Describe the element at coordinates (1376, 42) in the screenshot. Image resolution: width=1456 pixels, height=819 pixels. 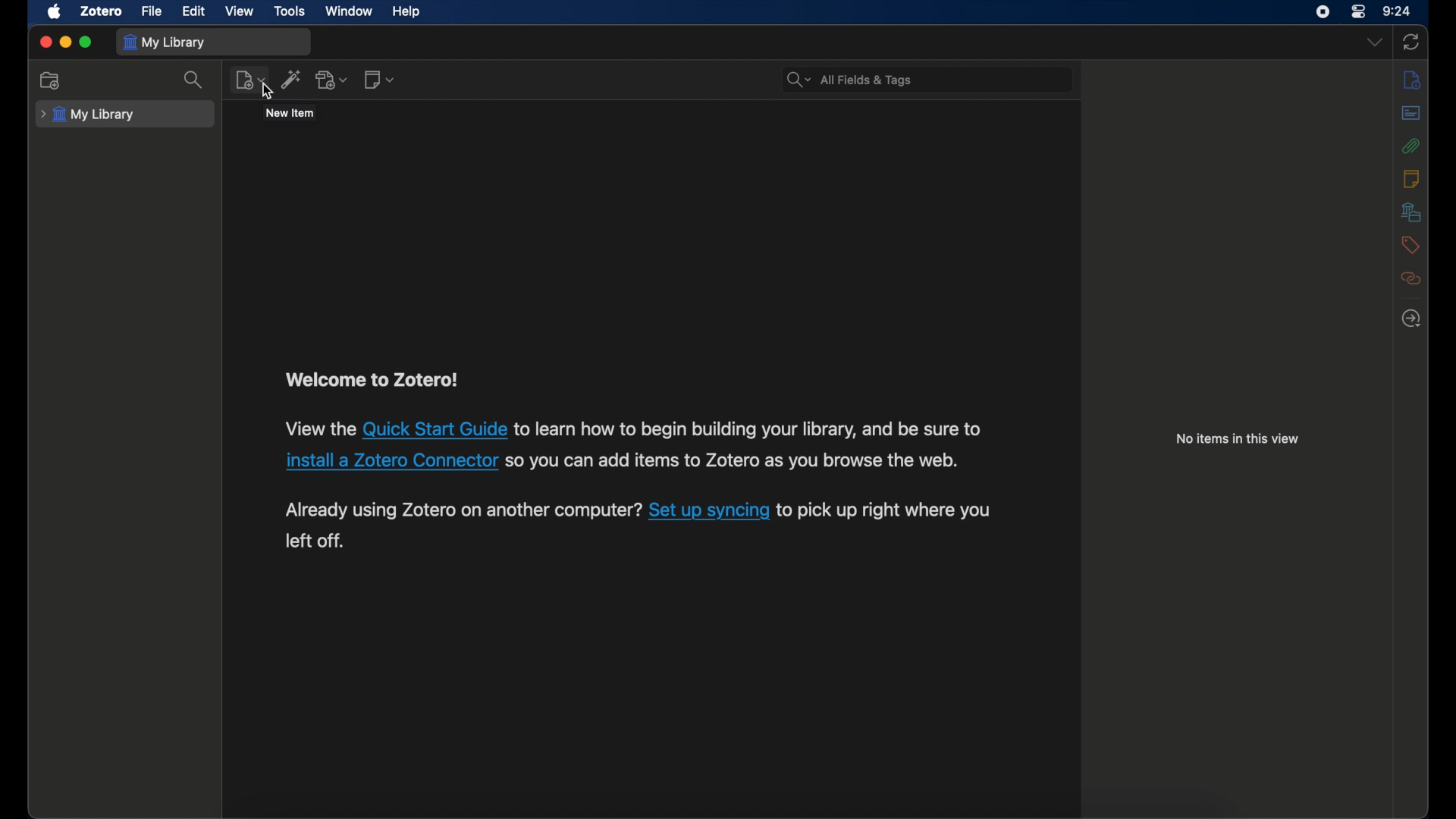
I see `dropdown` at that location.